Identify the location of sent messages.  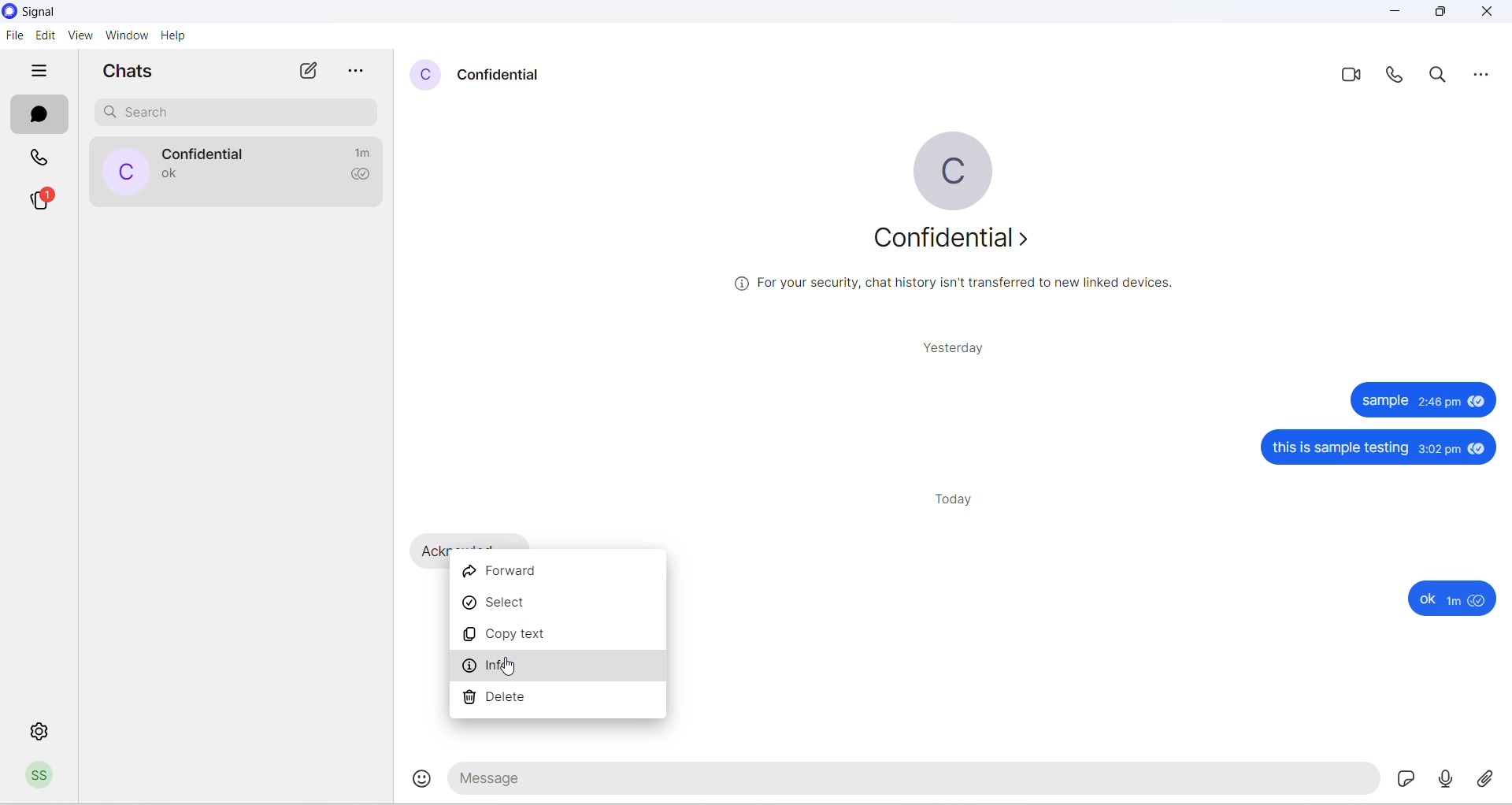
(1381, 492).